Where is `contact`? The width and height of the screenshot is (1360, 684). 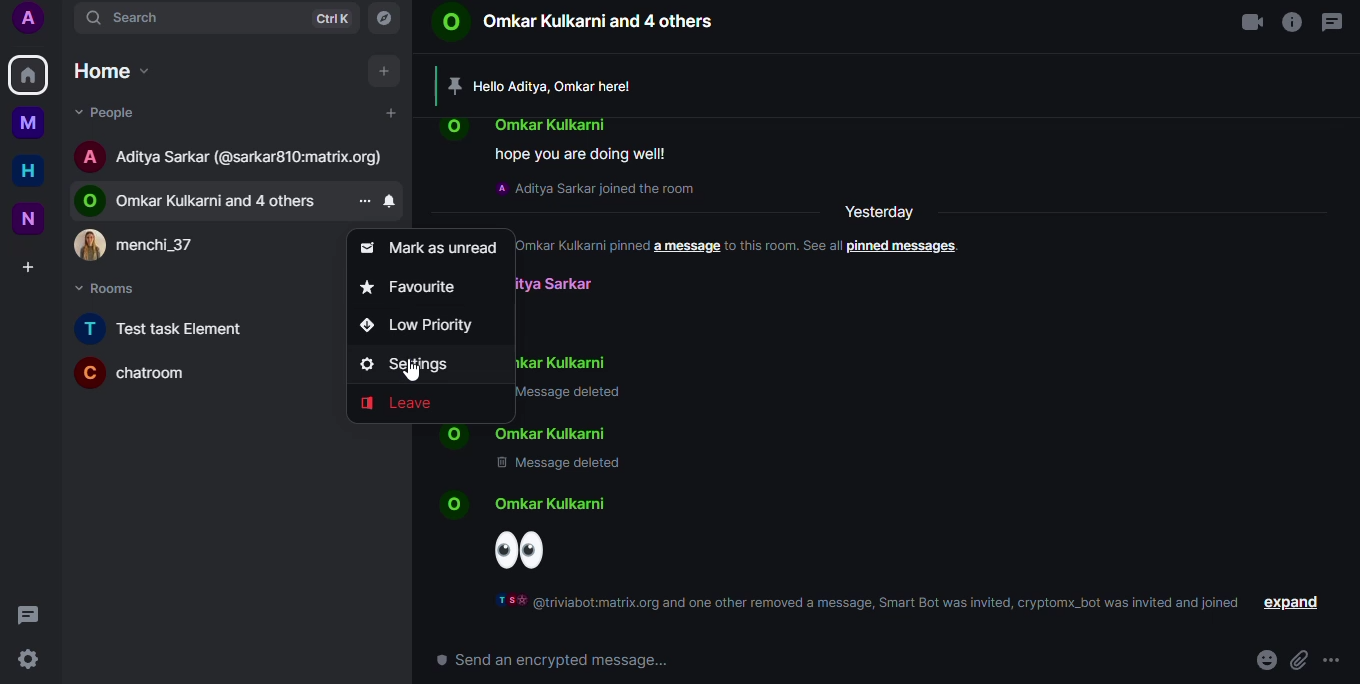 contact is located at coordinates (233, 156).